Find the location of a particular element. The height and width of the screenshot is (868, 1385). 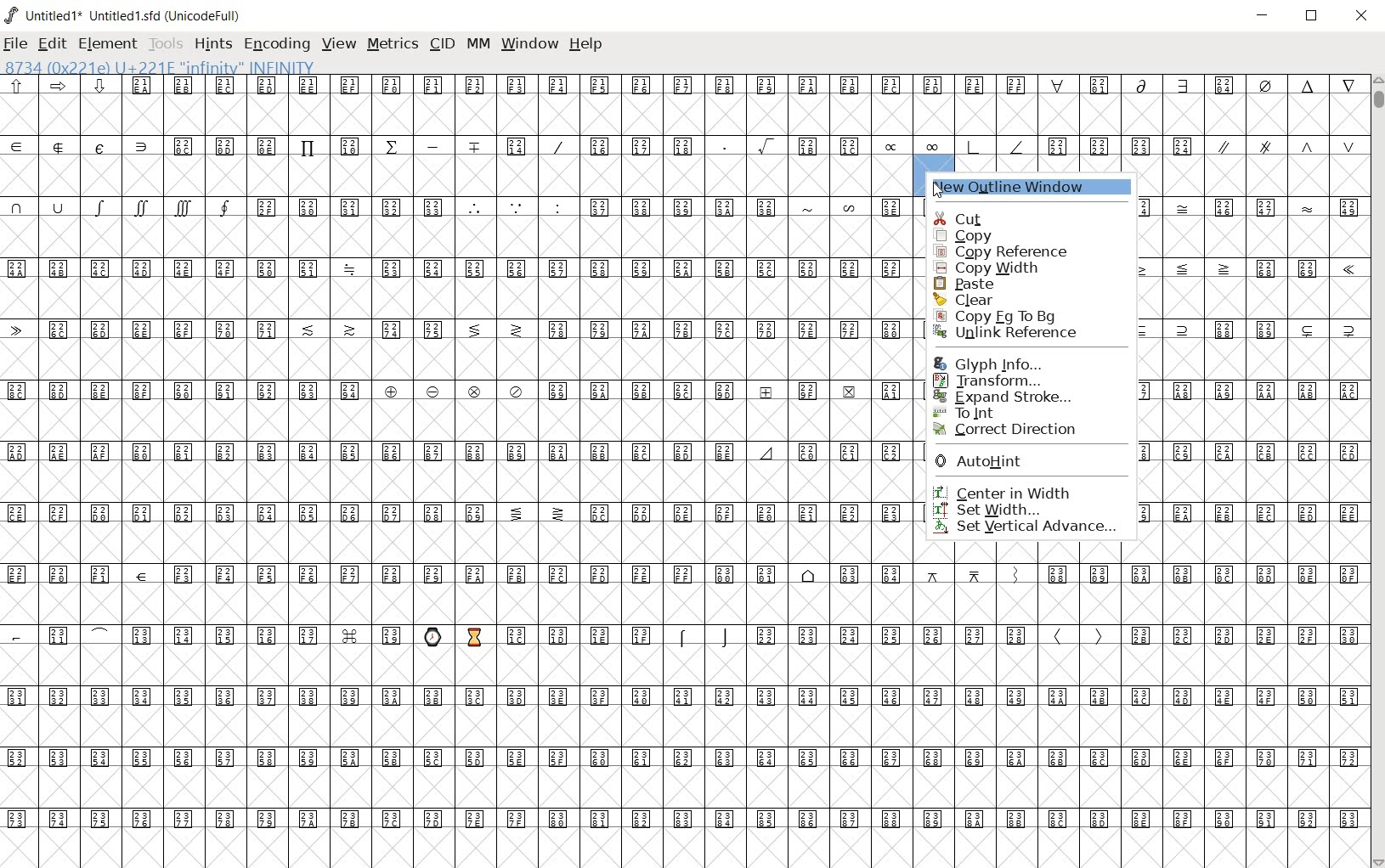

symbol is located at coordinates (1309, 206).